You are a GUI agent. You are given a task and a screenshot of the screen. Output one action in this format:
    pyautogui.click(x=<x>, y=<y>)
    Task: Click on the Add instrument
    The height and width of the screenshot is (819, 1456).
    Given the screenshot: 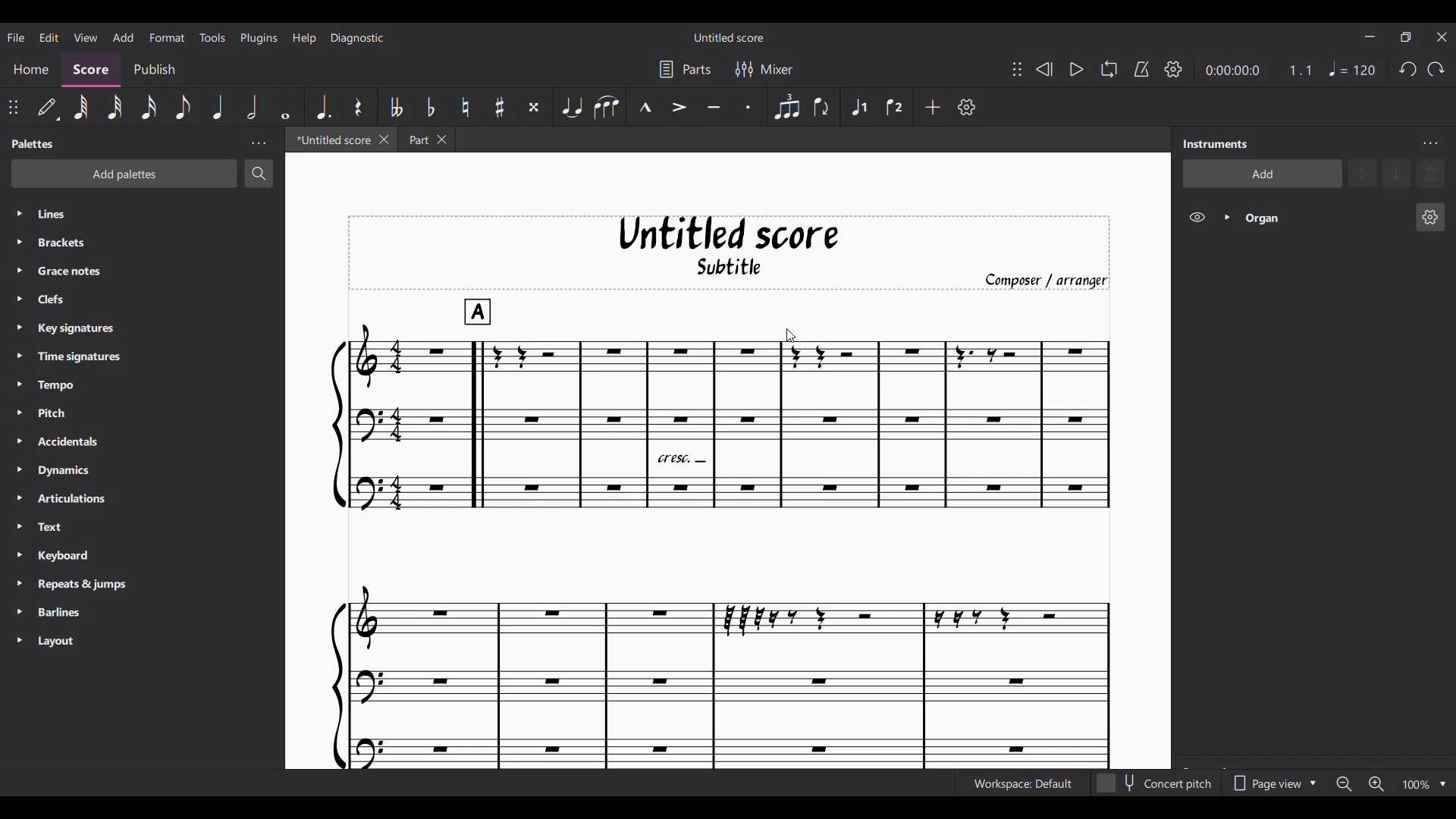 What is the action you would take?
    pyautogui.click(x=1263, y=173)
    